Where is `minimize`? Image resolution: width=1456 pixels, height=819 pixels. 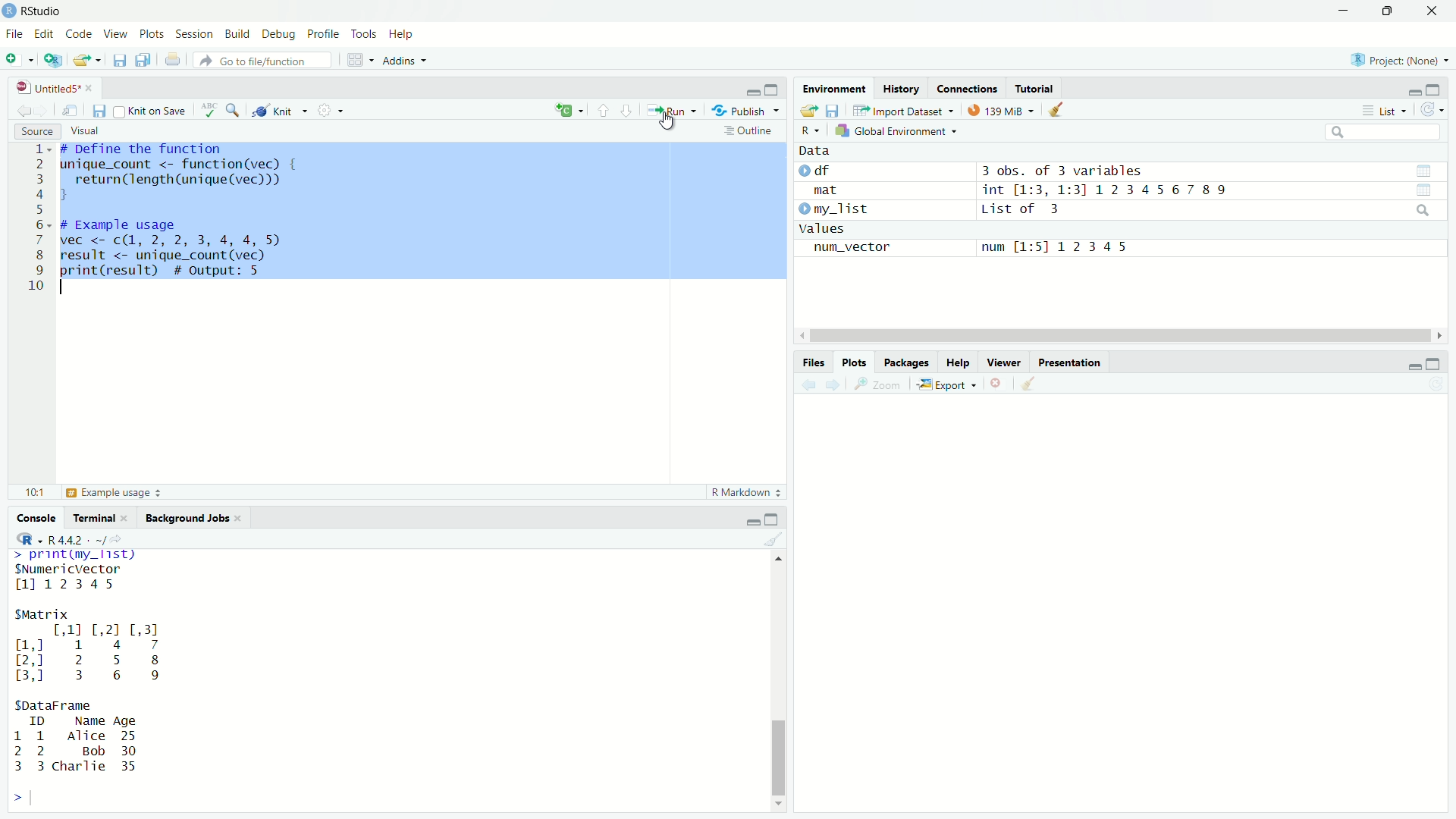 minimize is located at coordinates (752, 522).